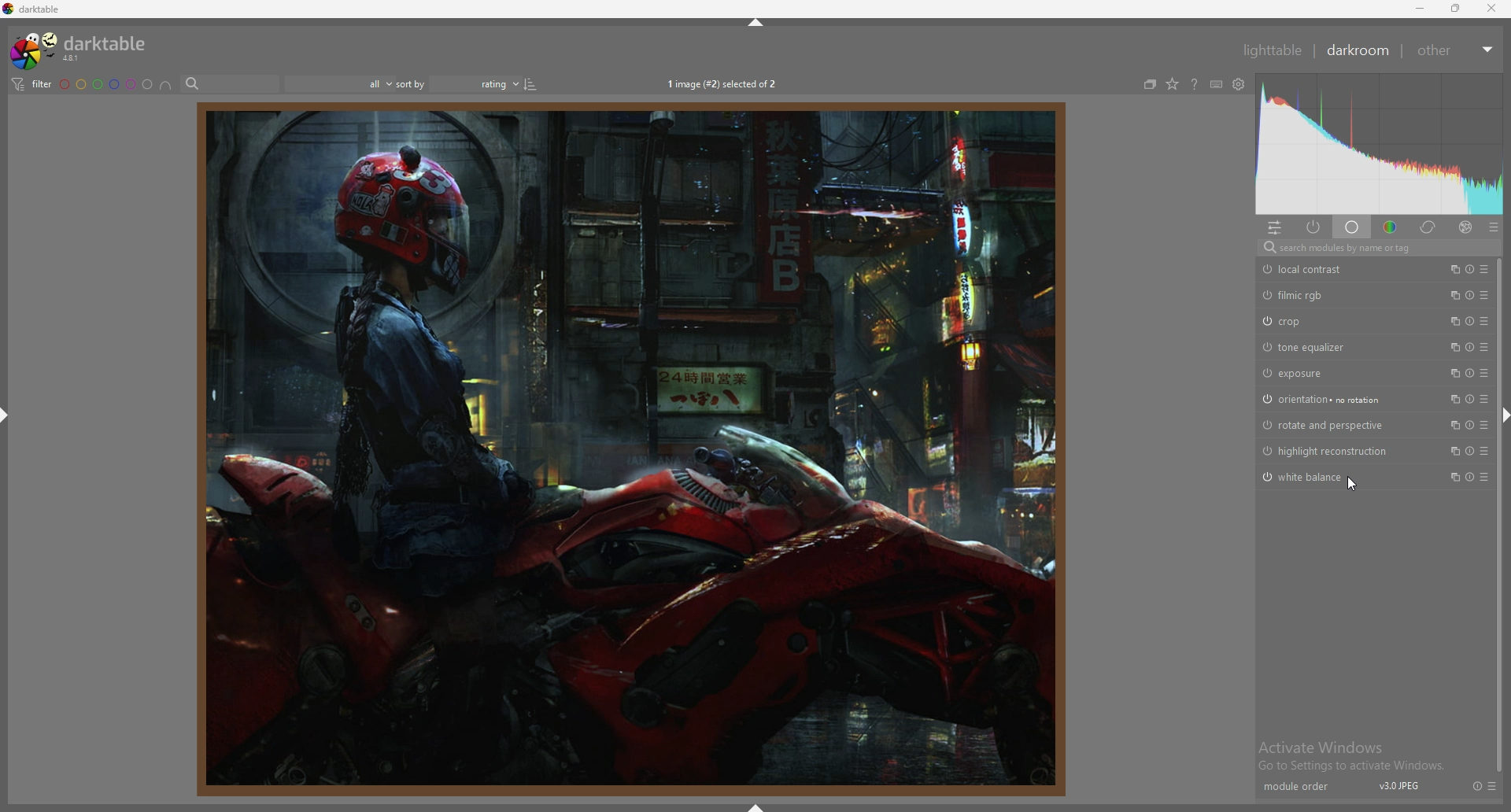 The width and height of the screenshot is (1511, 812). What do you see at coordinates (1454, 400) in the screenshot?
I see `multiple instances action` at bounding box center [1454, 400].